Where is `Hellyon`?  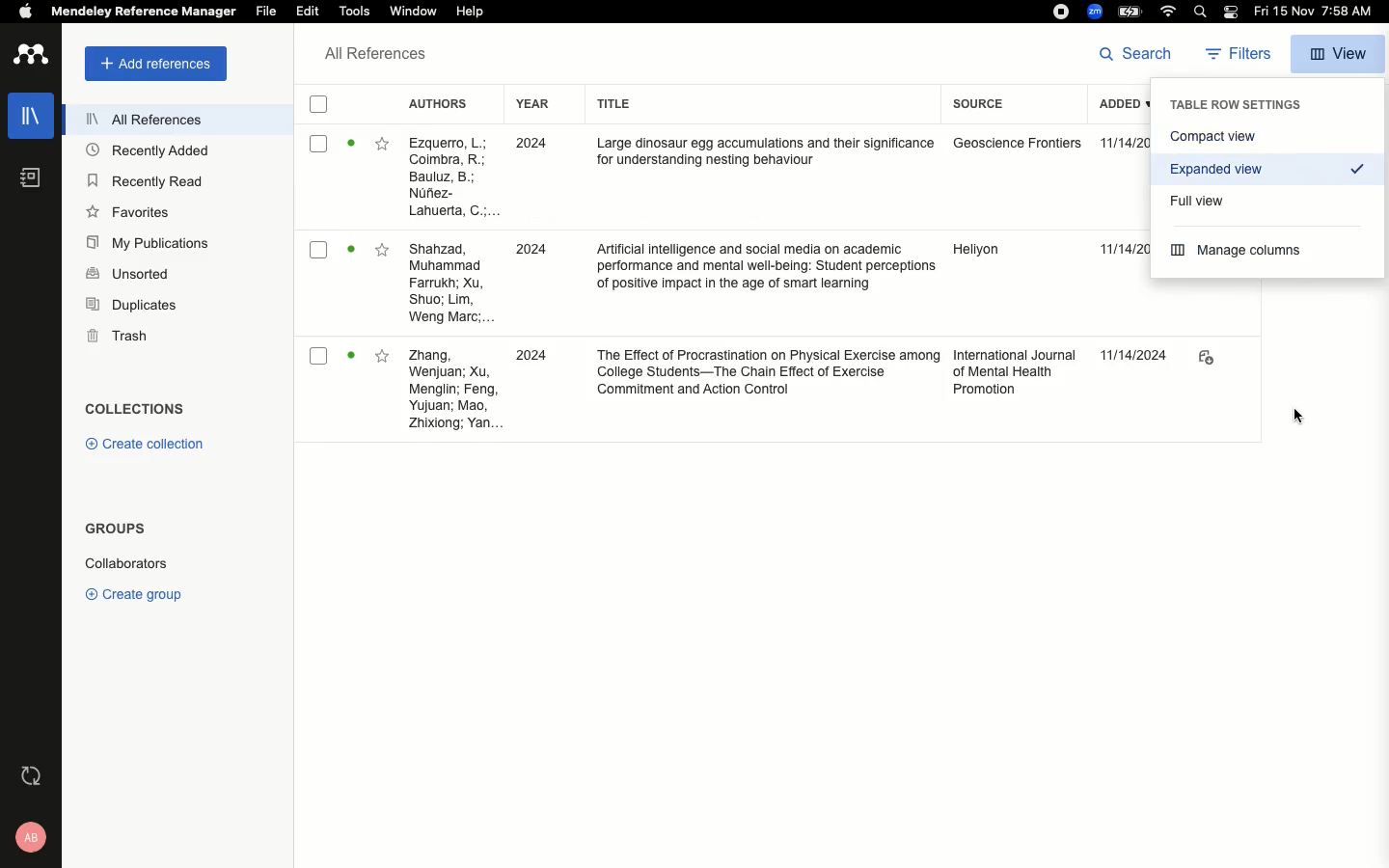 Hellyon is located at coordinates (976, 252).